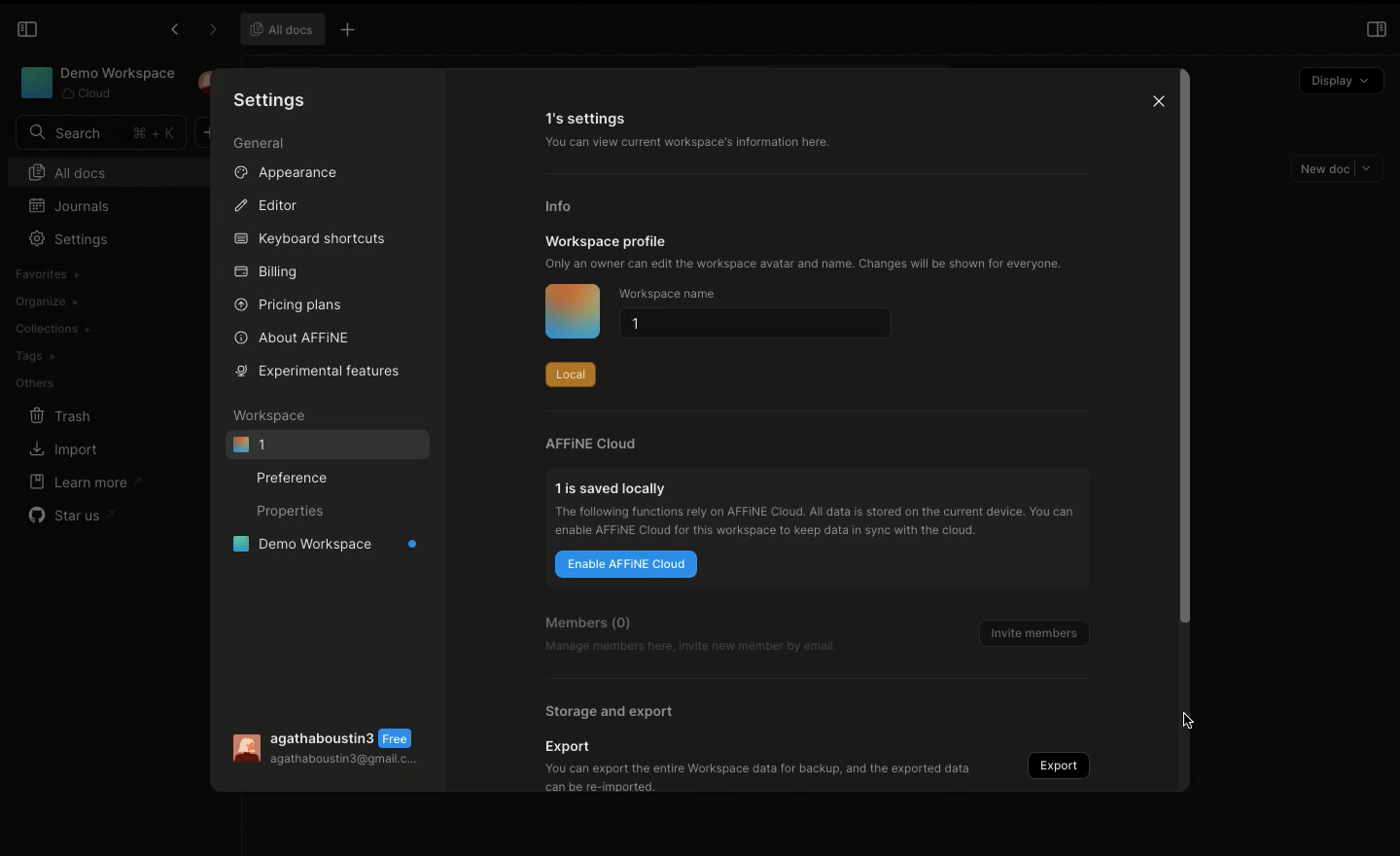 The width and height of the screenshot is (1400, 856). I want to click on Collections, so click(52, 329).